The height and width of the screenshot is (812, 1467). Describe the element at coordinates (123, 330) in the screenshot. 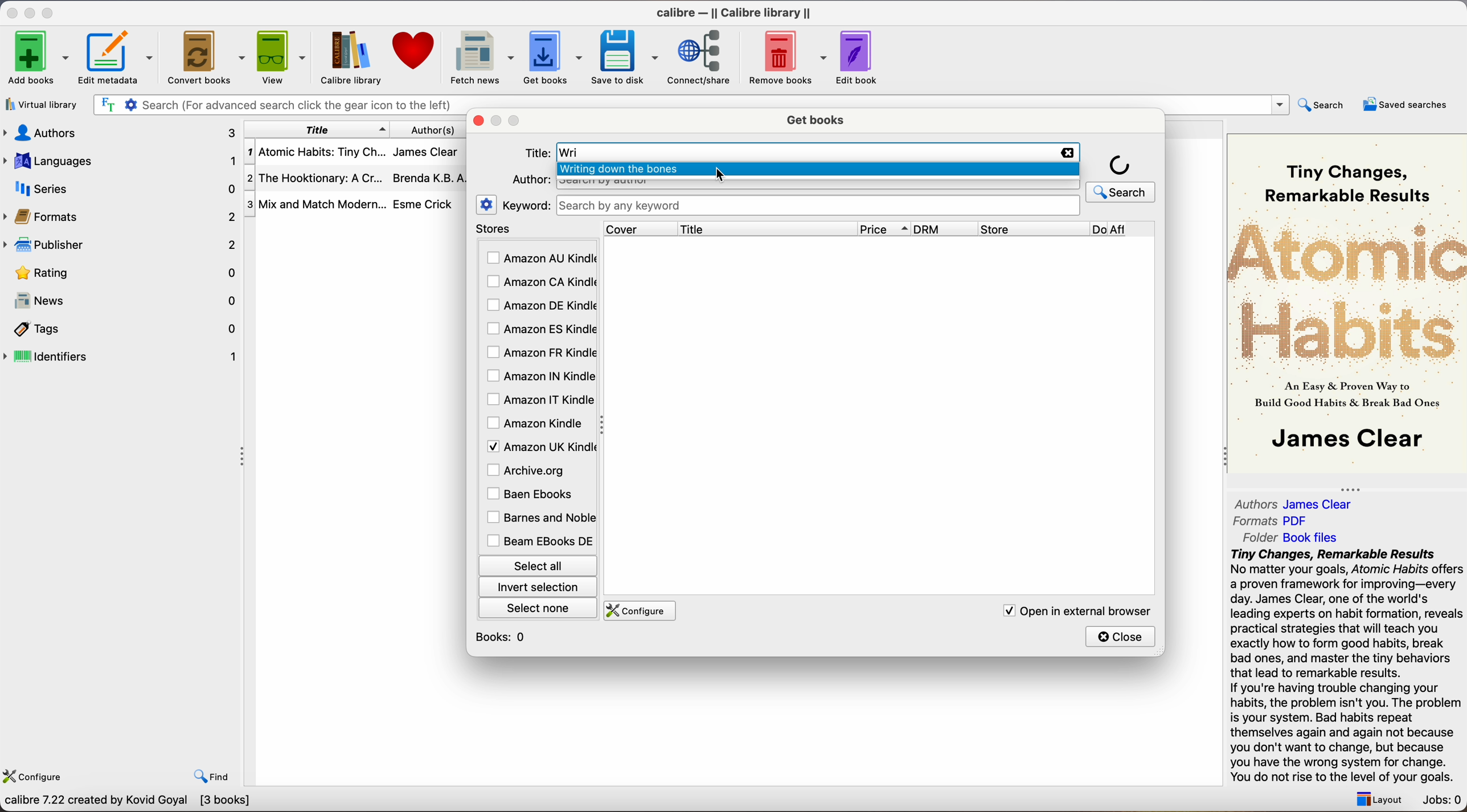

I see `tags` at that location.